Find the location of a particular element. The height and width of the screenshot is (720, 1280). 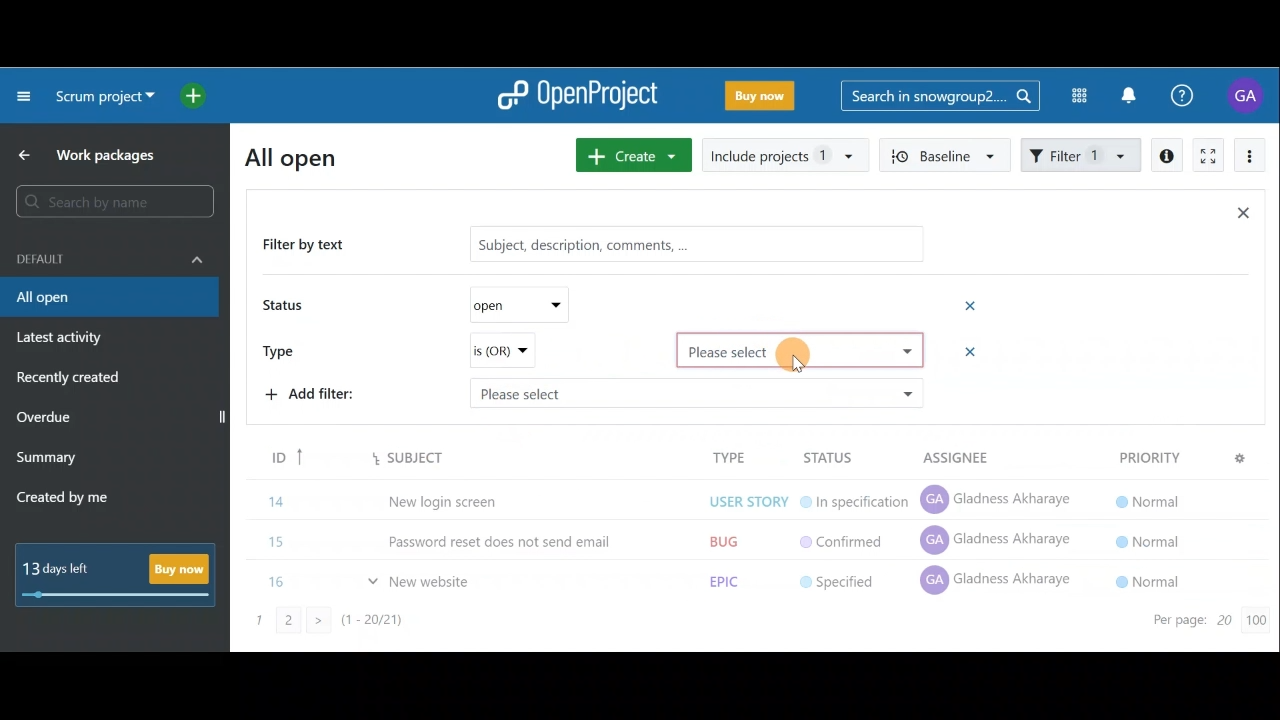

Created by me is located at coordinates (74, 500).